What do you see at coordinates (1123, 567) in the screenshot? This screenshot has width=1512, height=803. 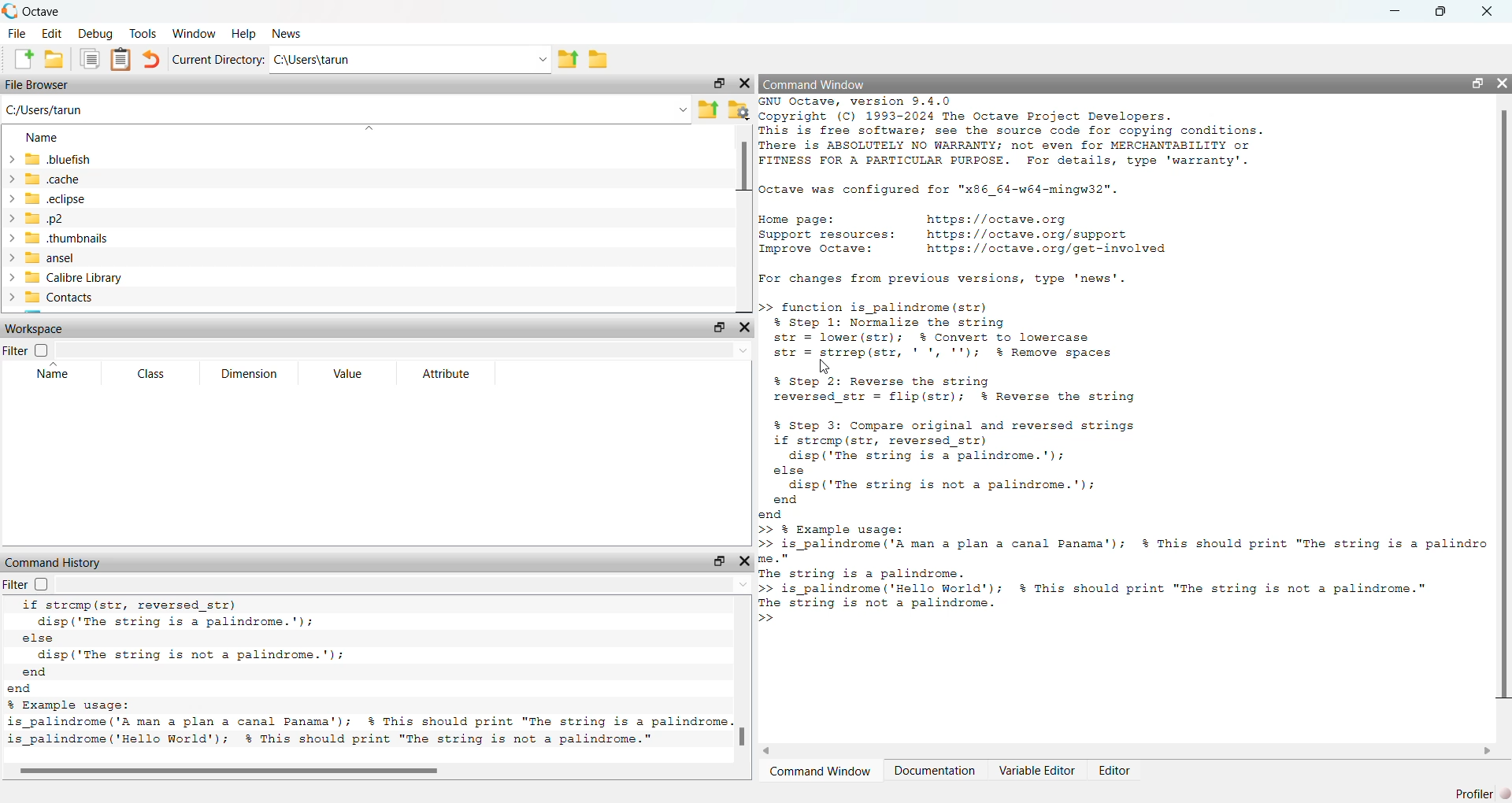 I see `resulting code to print` at bounding box center [1123, 567].